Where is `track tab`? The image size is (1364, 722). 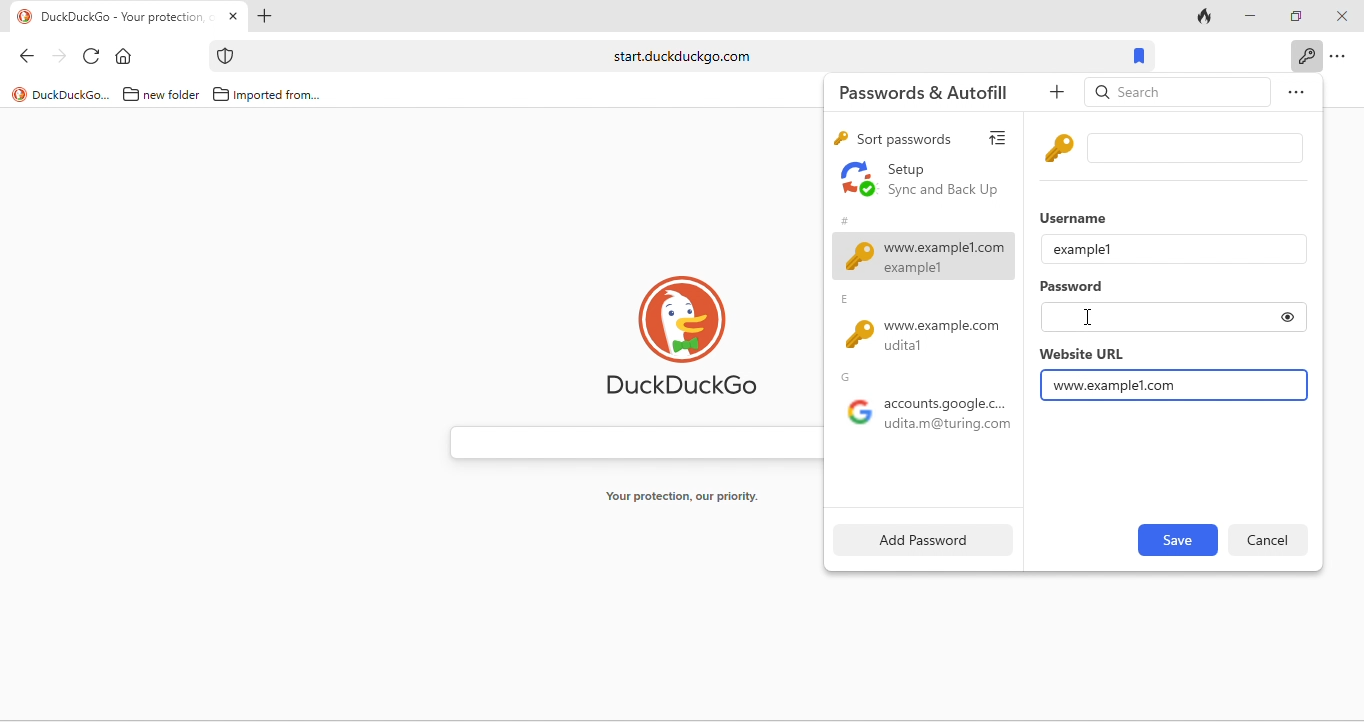
track tab is located at coordinates (1206, 15).